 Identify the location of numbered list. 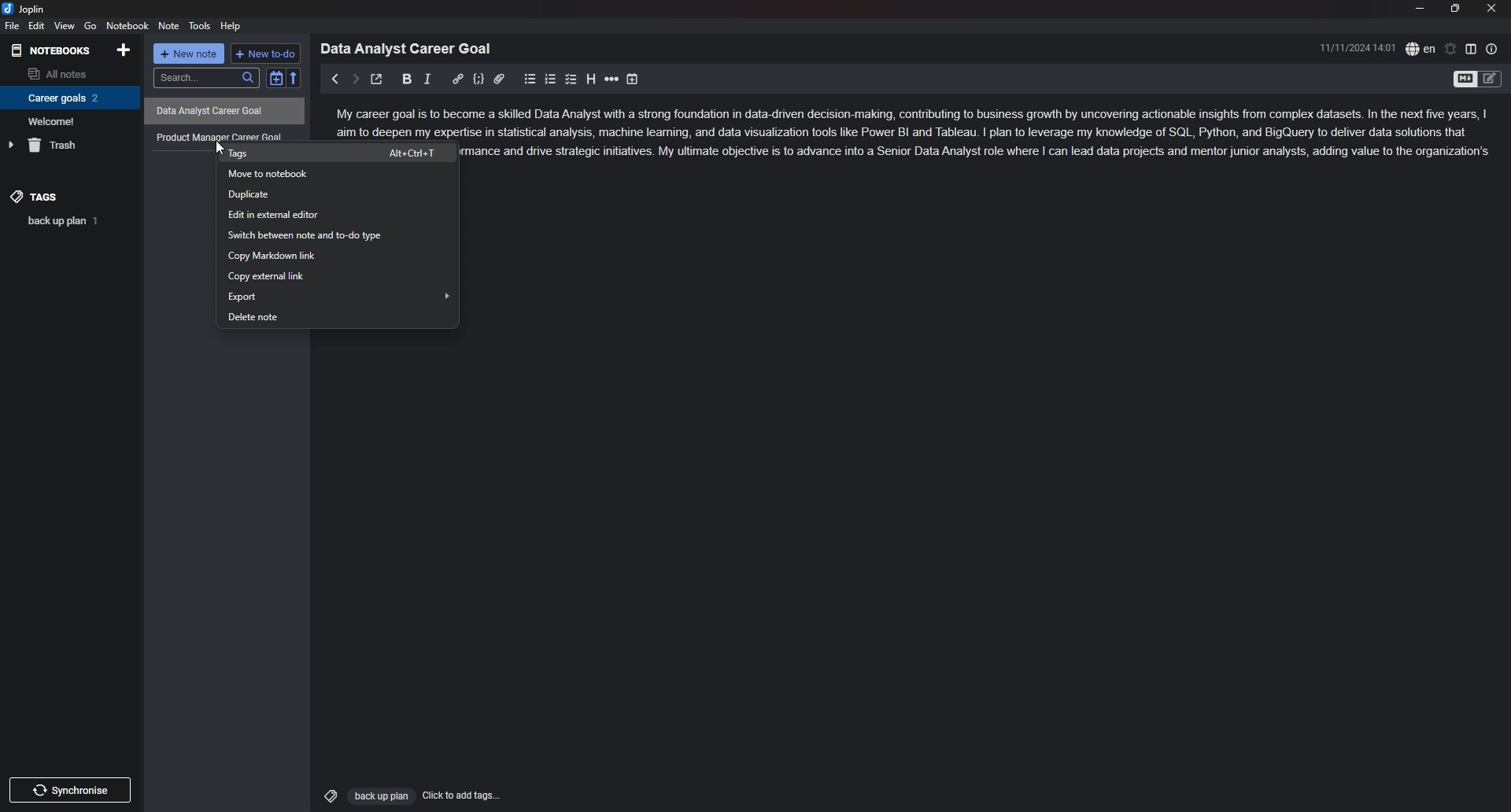
(551, 80).